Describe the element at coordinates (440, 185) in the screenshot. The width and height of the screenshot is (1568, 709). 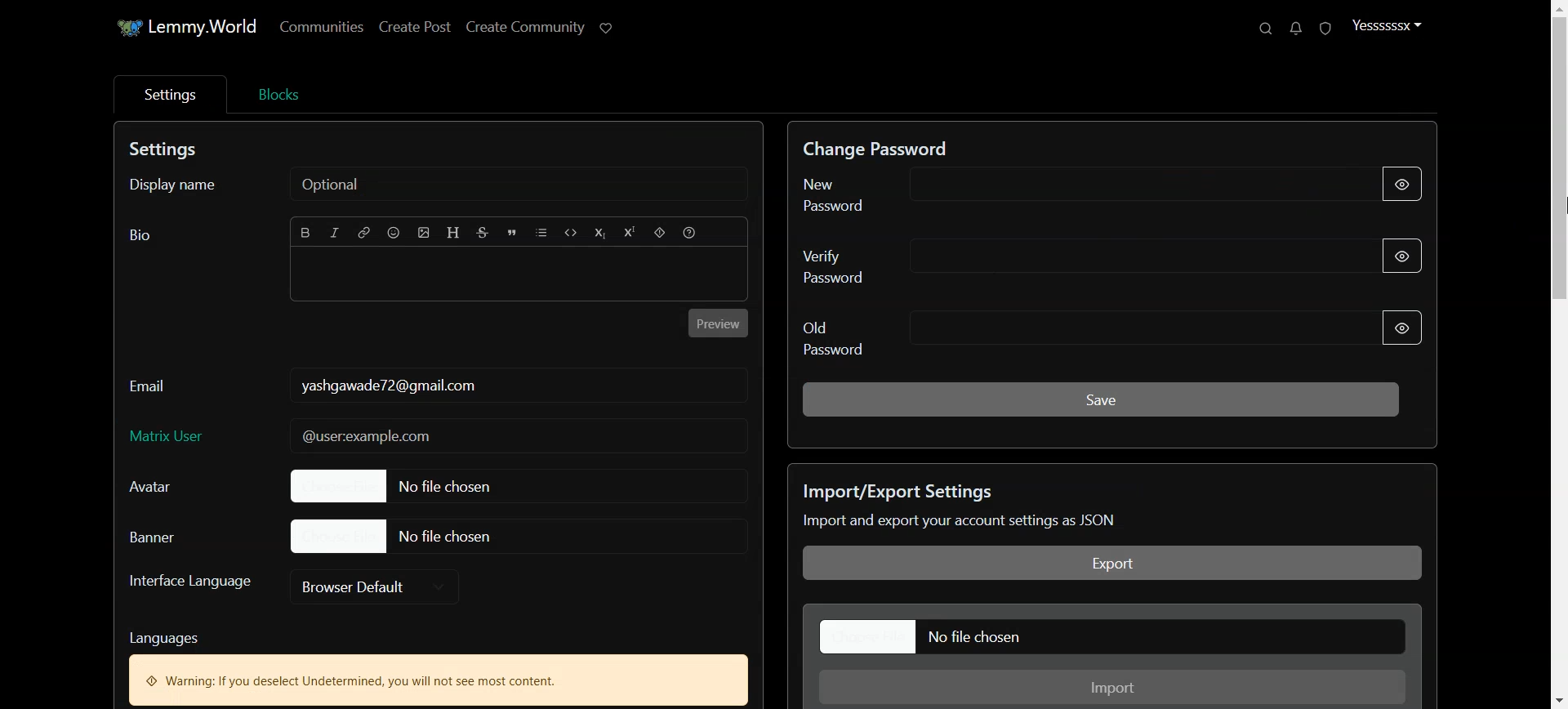
I see `Display name` at that location.